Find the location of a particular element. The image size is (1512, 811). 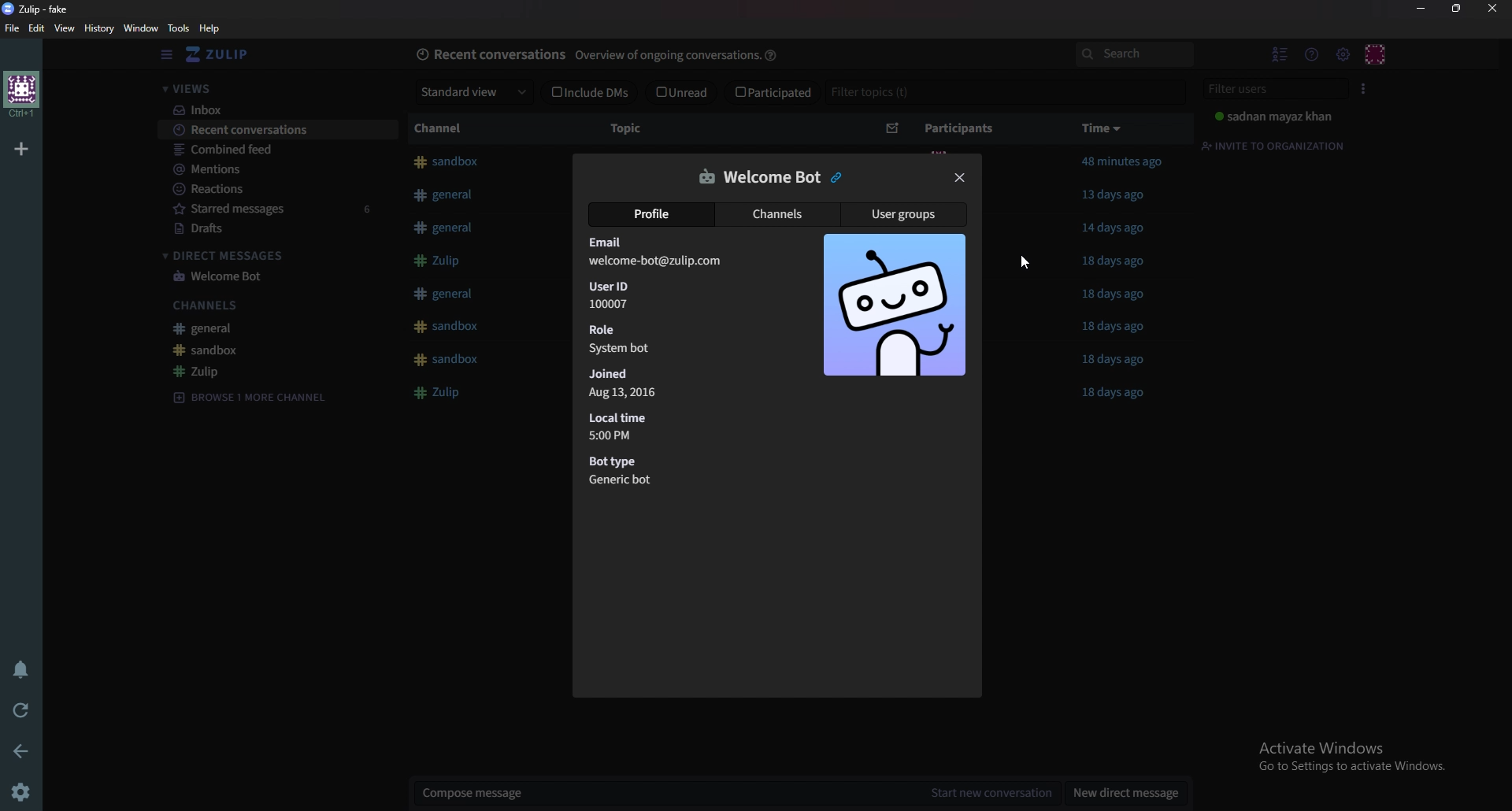

user ID 100007 is located at coordinates (629, 296).